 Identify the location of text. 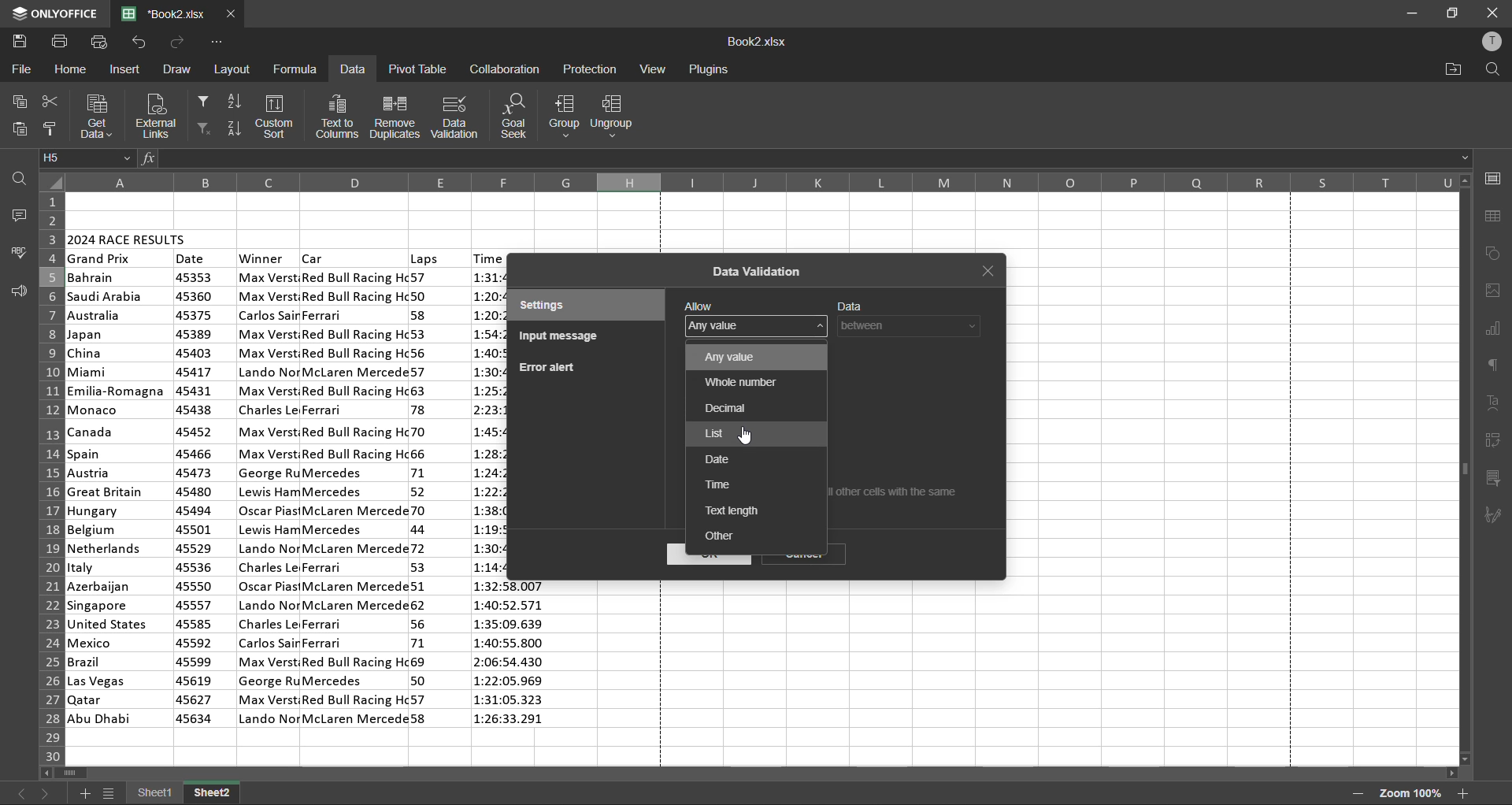
(1495, 403).